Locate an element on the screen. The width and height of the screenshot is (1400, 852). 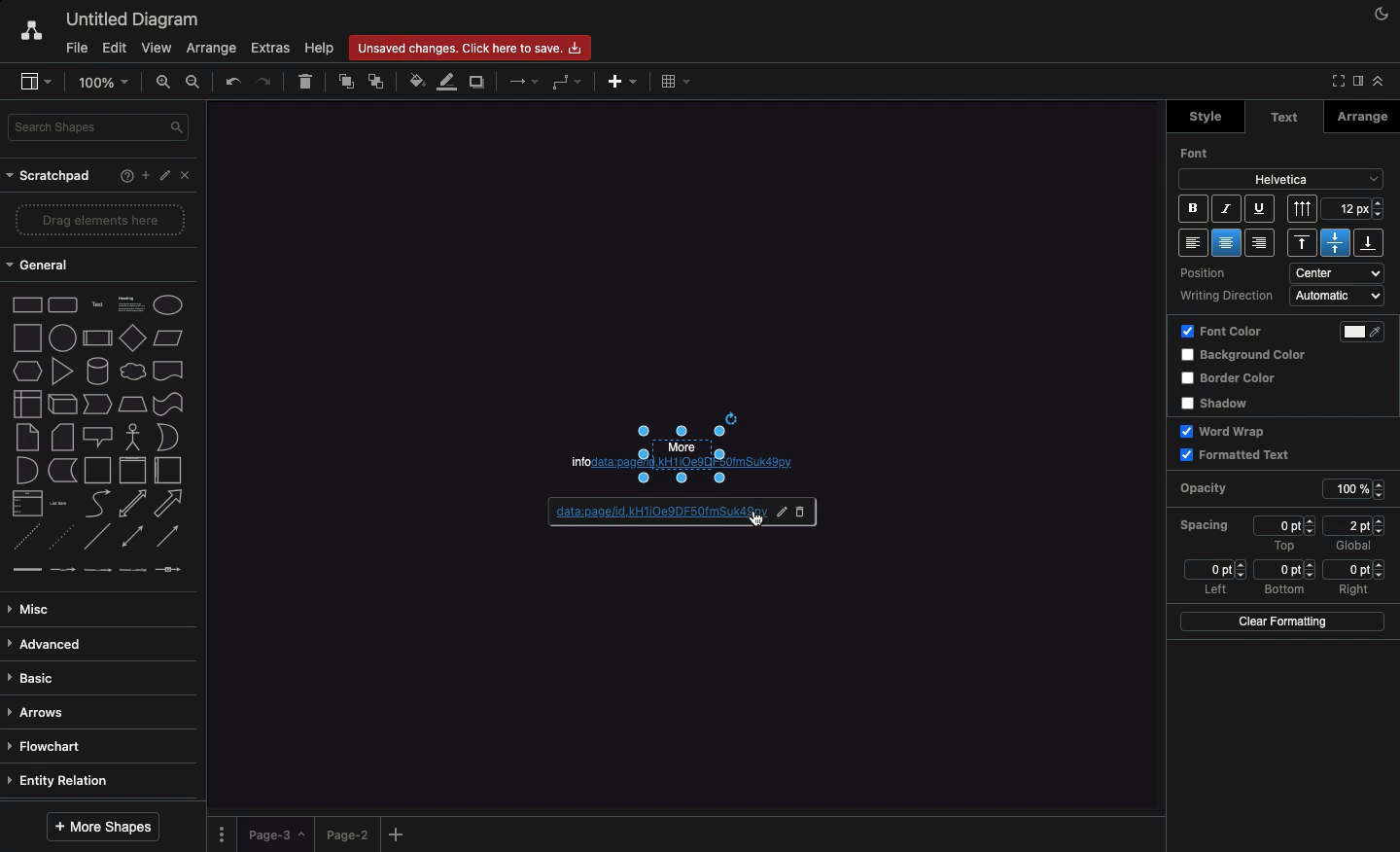
Advanced is located at coordinates (49, 646).